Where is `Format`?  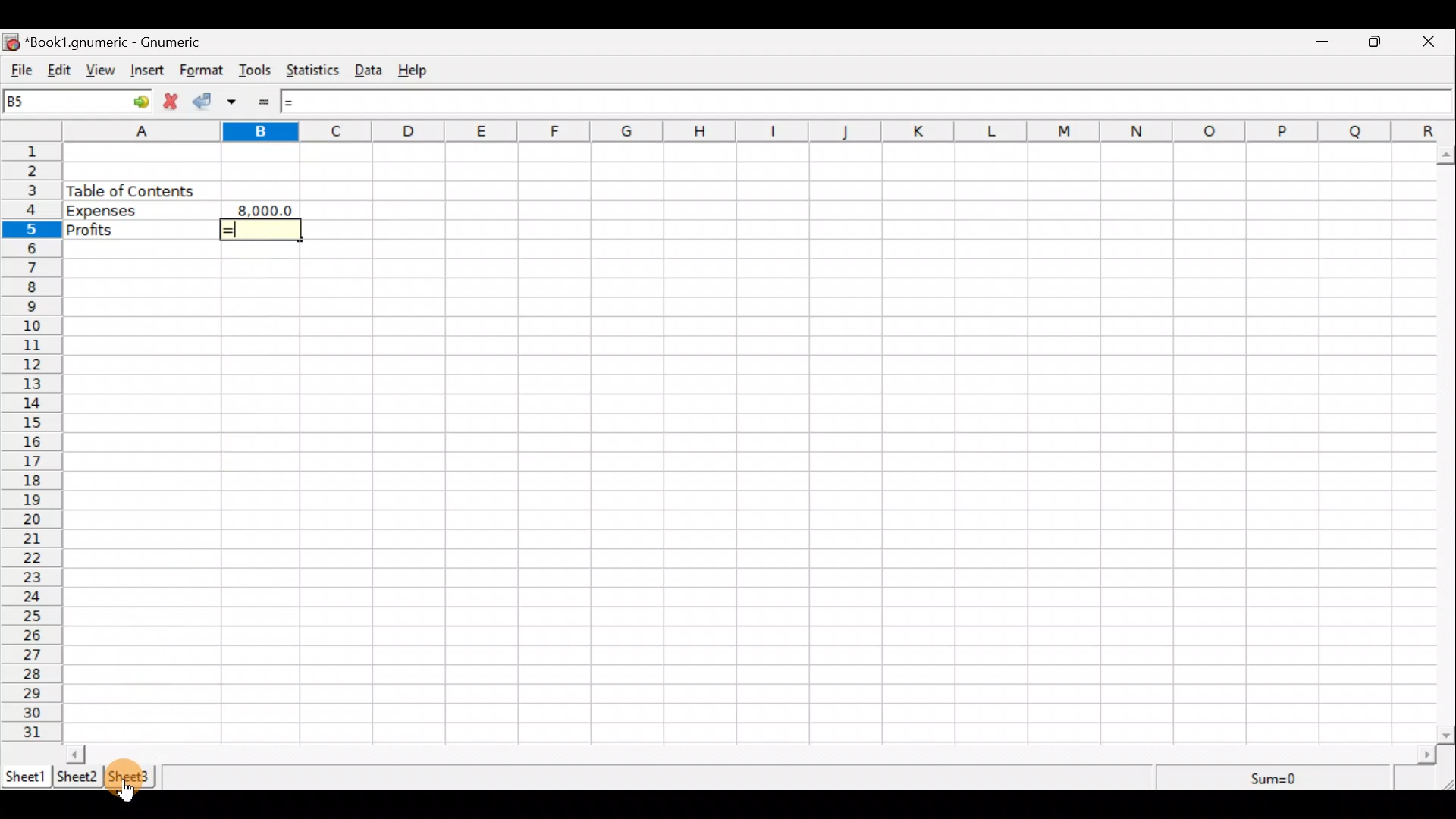
Format is located at coordinates (202, 71).